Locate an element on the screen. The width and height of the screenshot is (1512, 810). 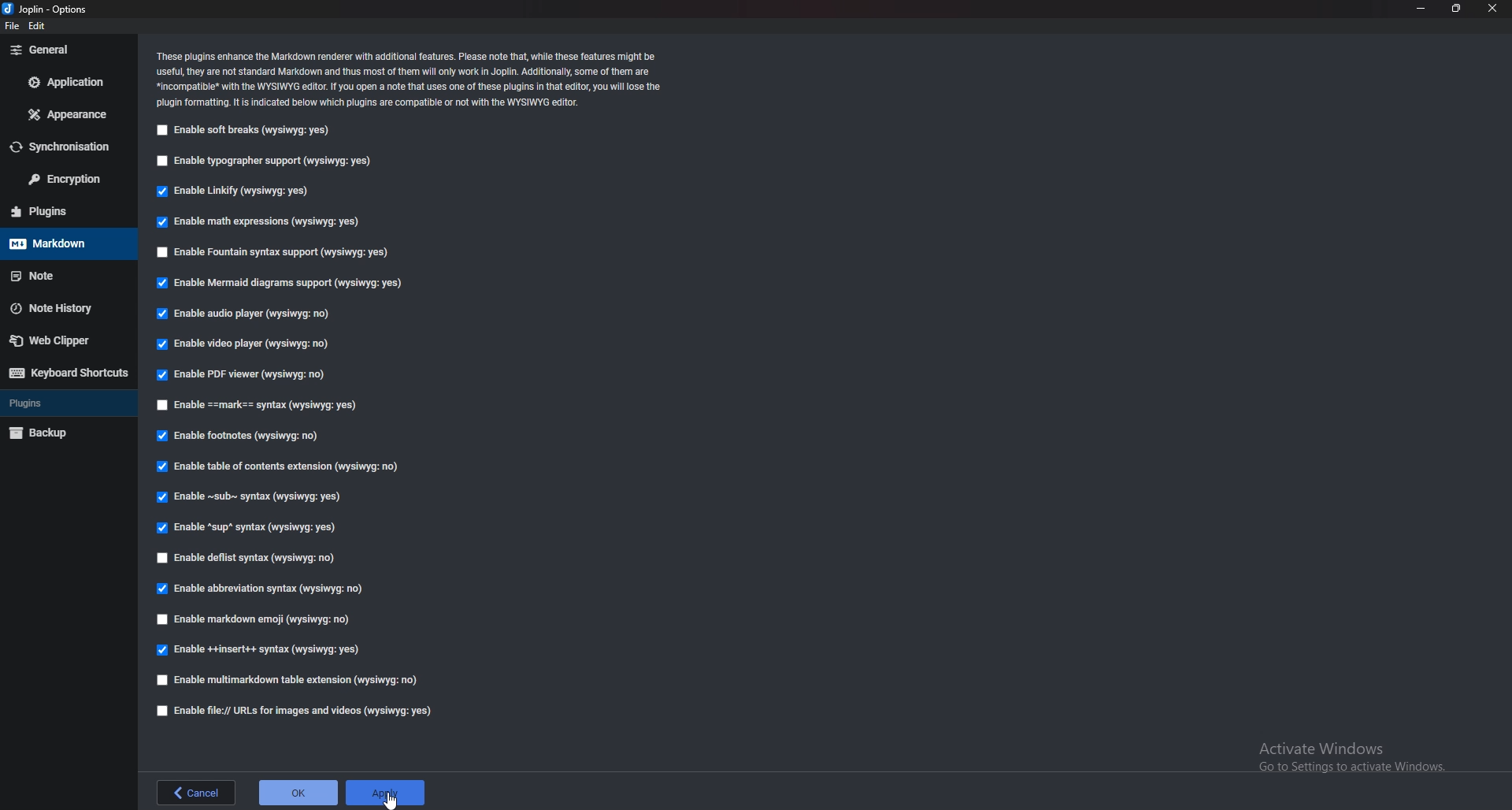
Enable fountain syntax support is located at coordinates (276, 252).